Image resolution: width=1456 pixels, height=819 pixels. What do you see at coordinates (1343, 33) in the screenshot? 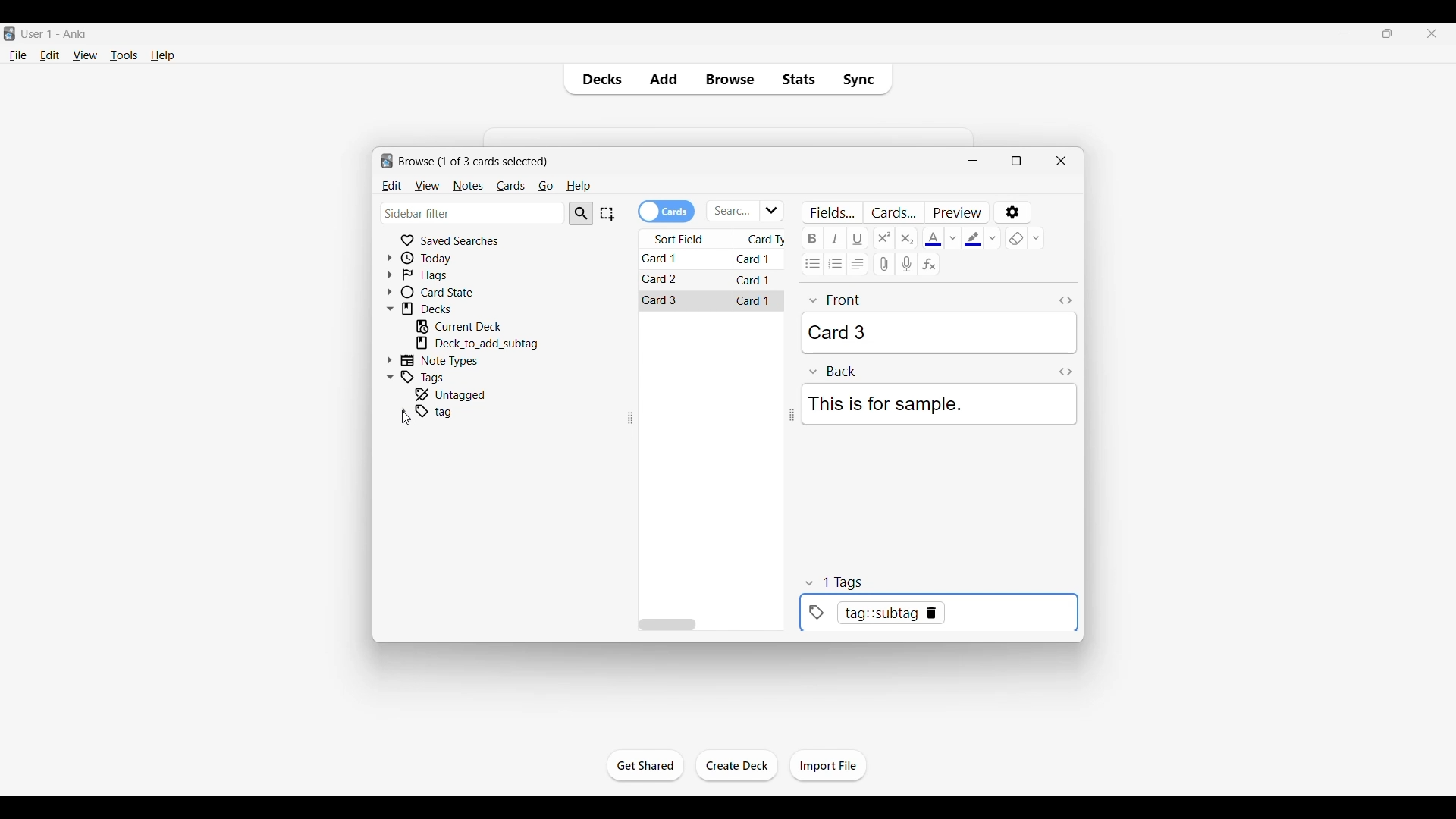
I see `Minimize` at bounding box center [1343, 33].